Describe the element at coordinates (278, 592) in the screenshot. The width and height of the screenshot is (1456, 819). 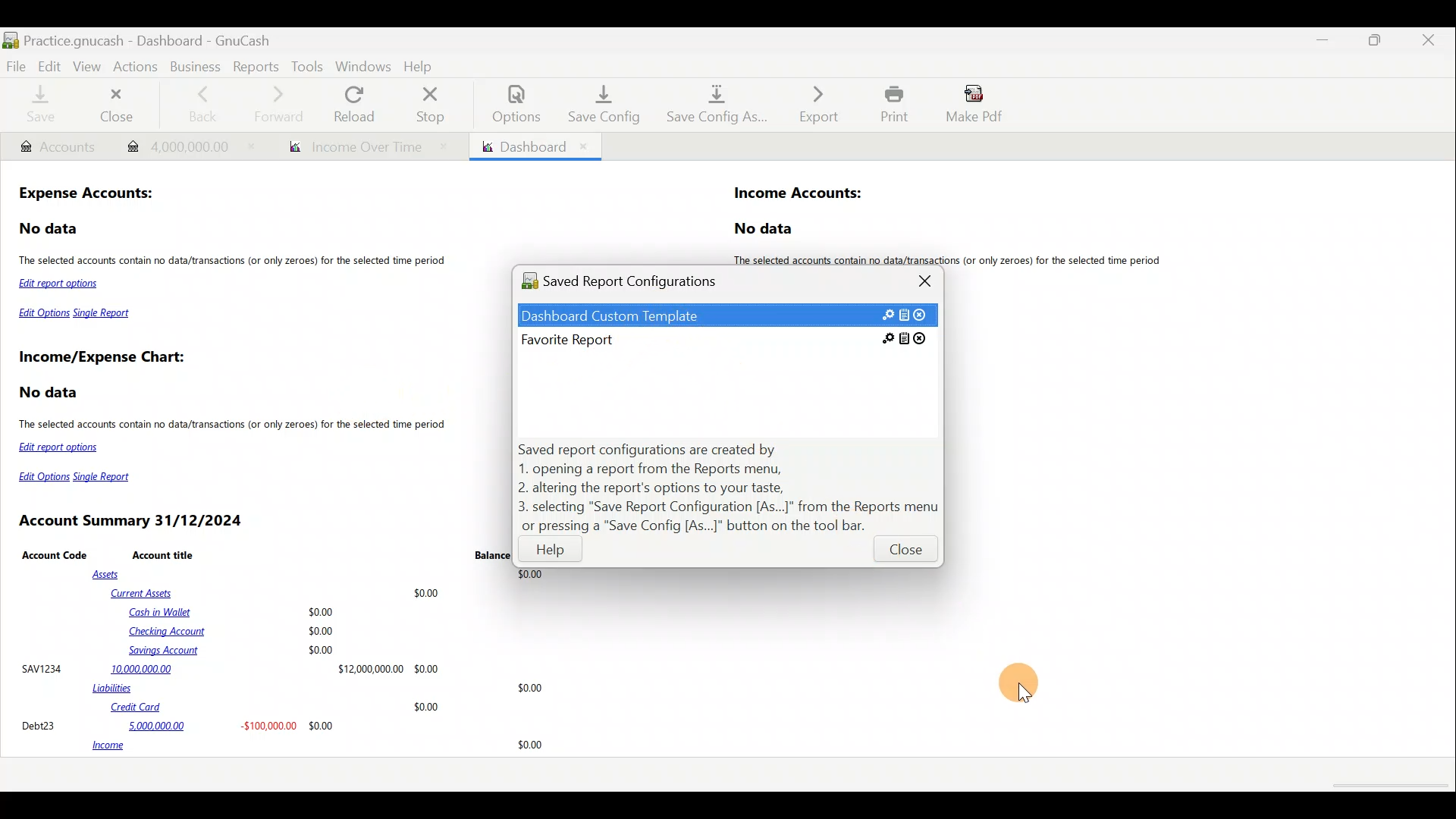
I see `Current Assets $0.00` at that location.